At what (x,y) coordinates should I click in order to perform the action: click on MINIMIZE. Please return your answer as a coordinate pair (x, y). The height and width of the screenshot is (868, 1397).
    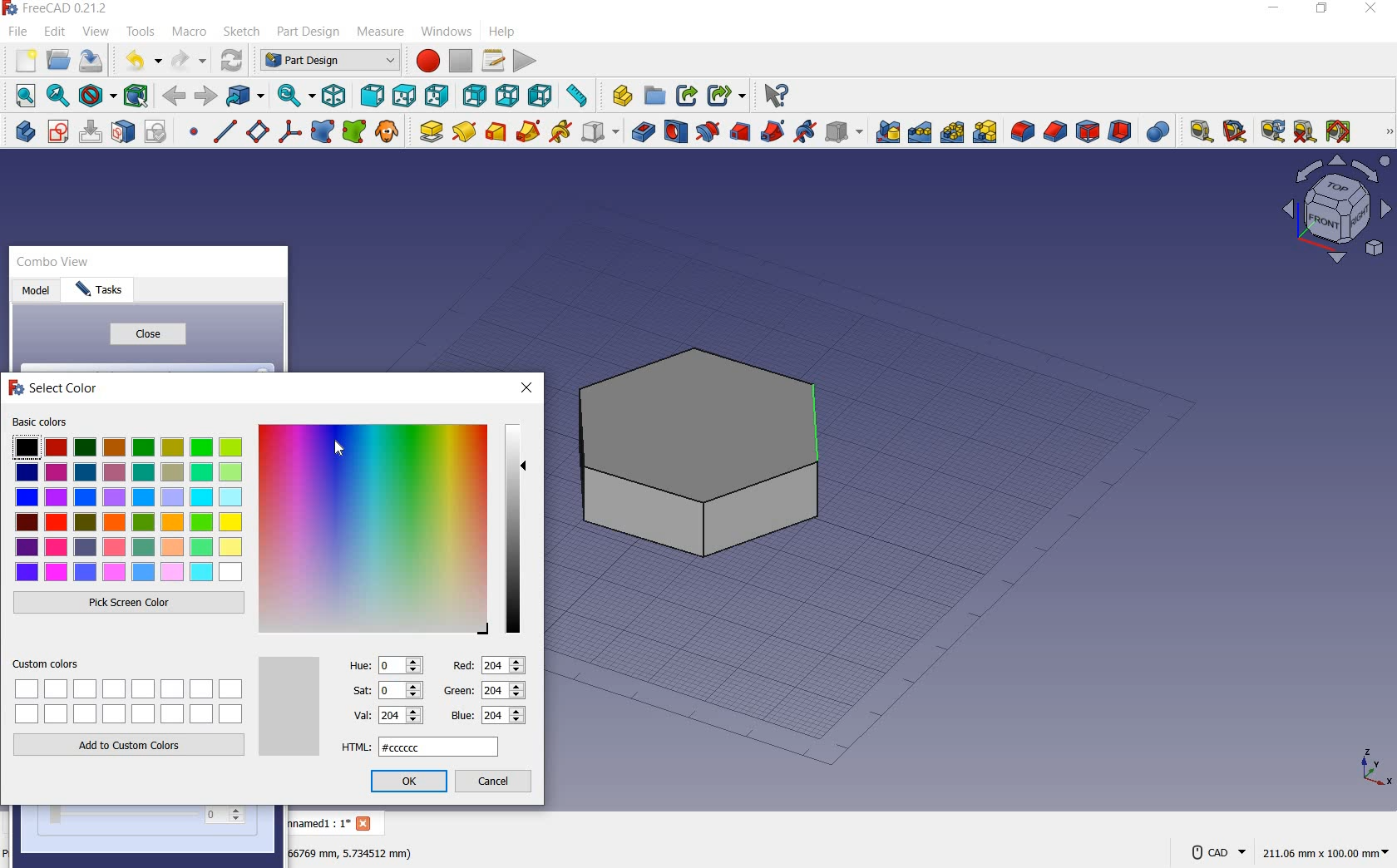
    Looking at the image, I should click on (1275, 11).